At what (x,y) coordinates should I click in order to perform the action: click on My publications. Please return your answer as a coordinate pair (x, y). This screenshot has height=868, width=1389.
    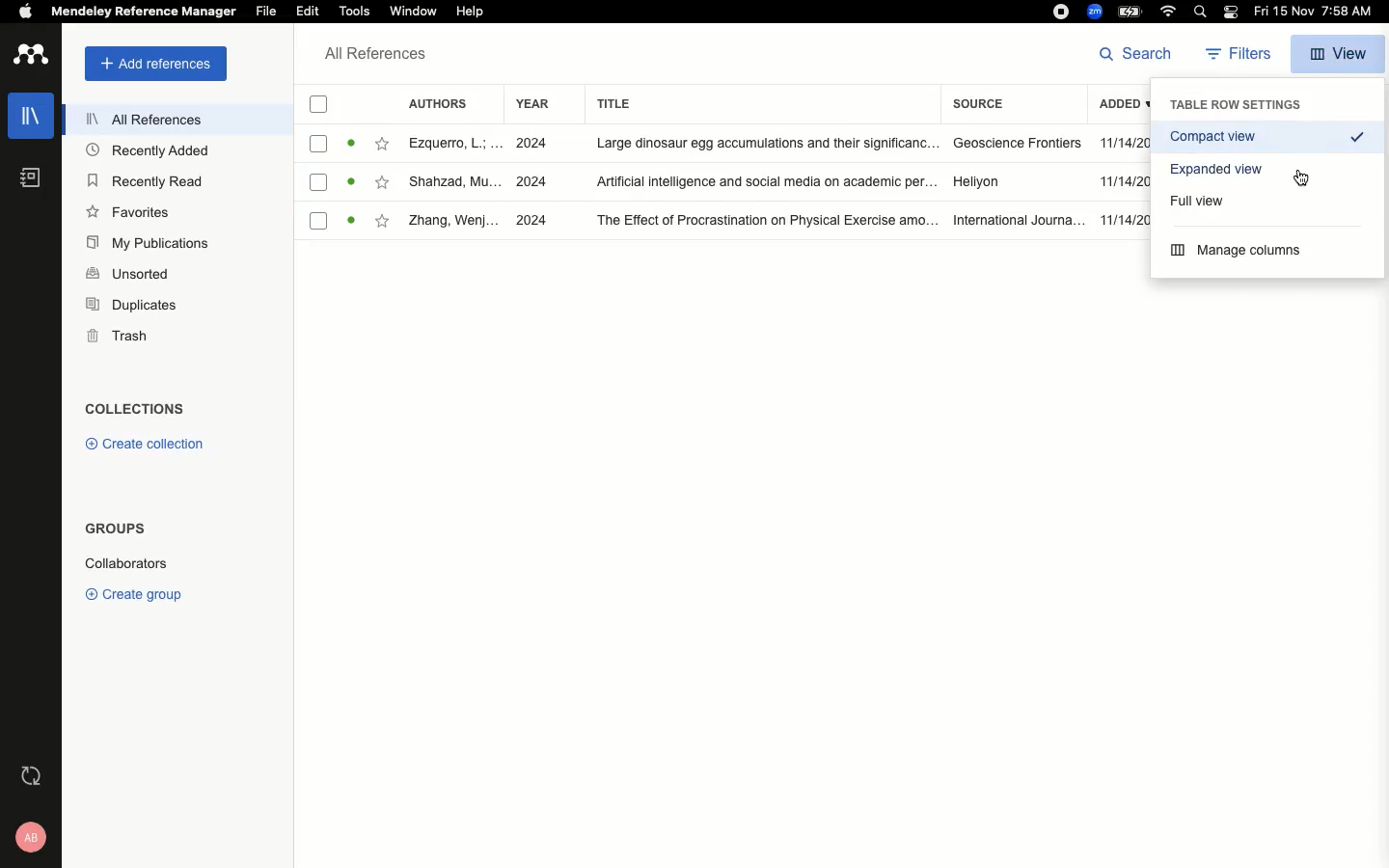
    Looking at the image, I should click on (145, 241).